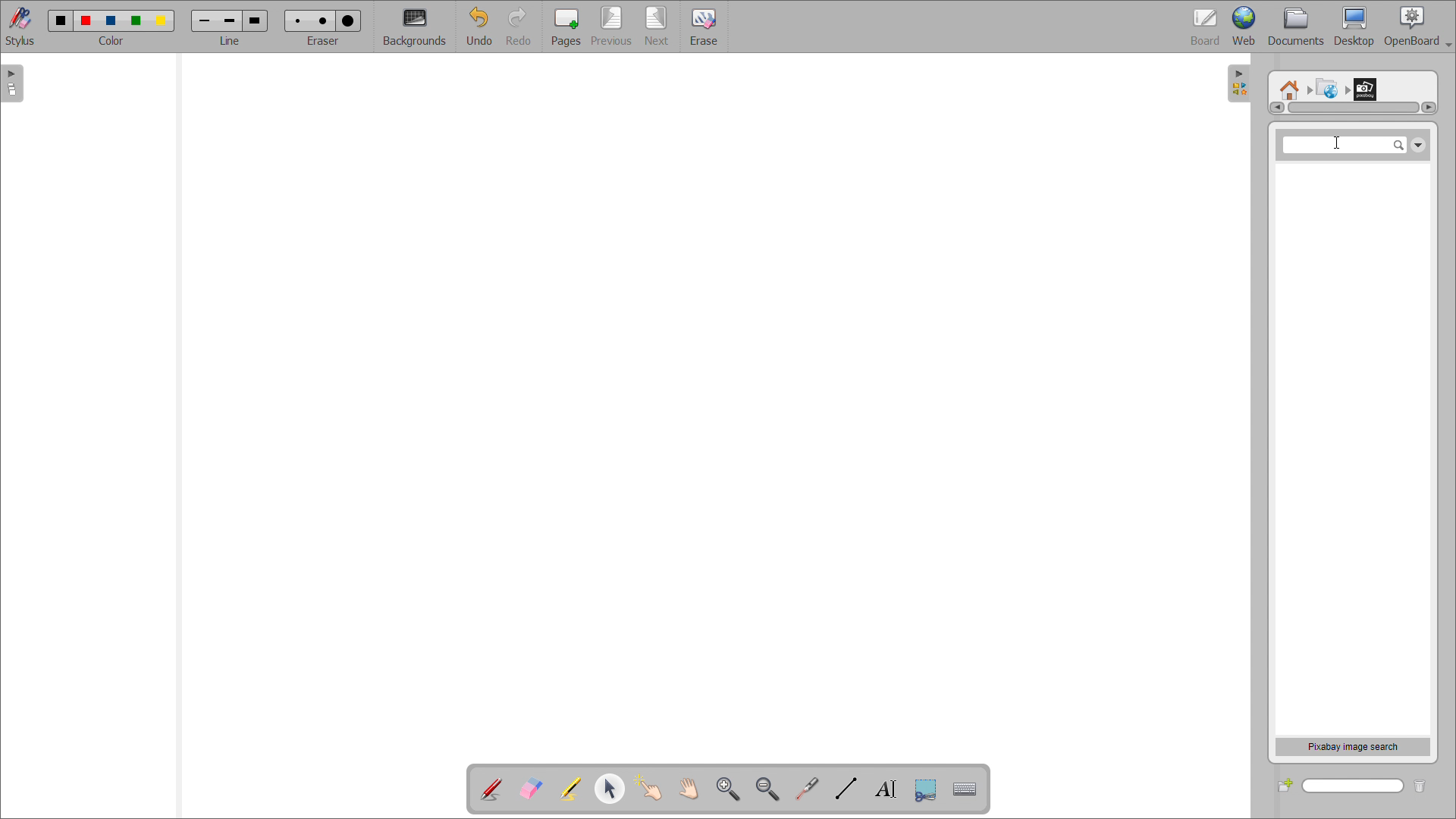 This screenshot has width=1456, height=819. What do you see at coordinates (351, 18) in the screenshot?
I see `Large eraser` at bounding box center [351, 18].